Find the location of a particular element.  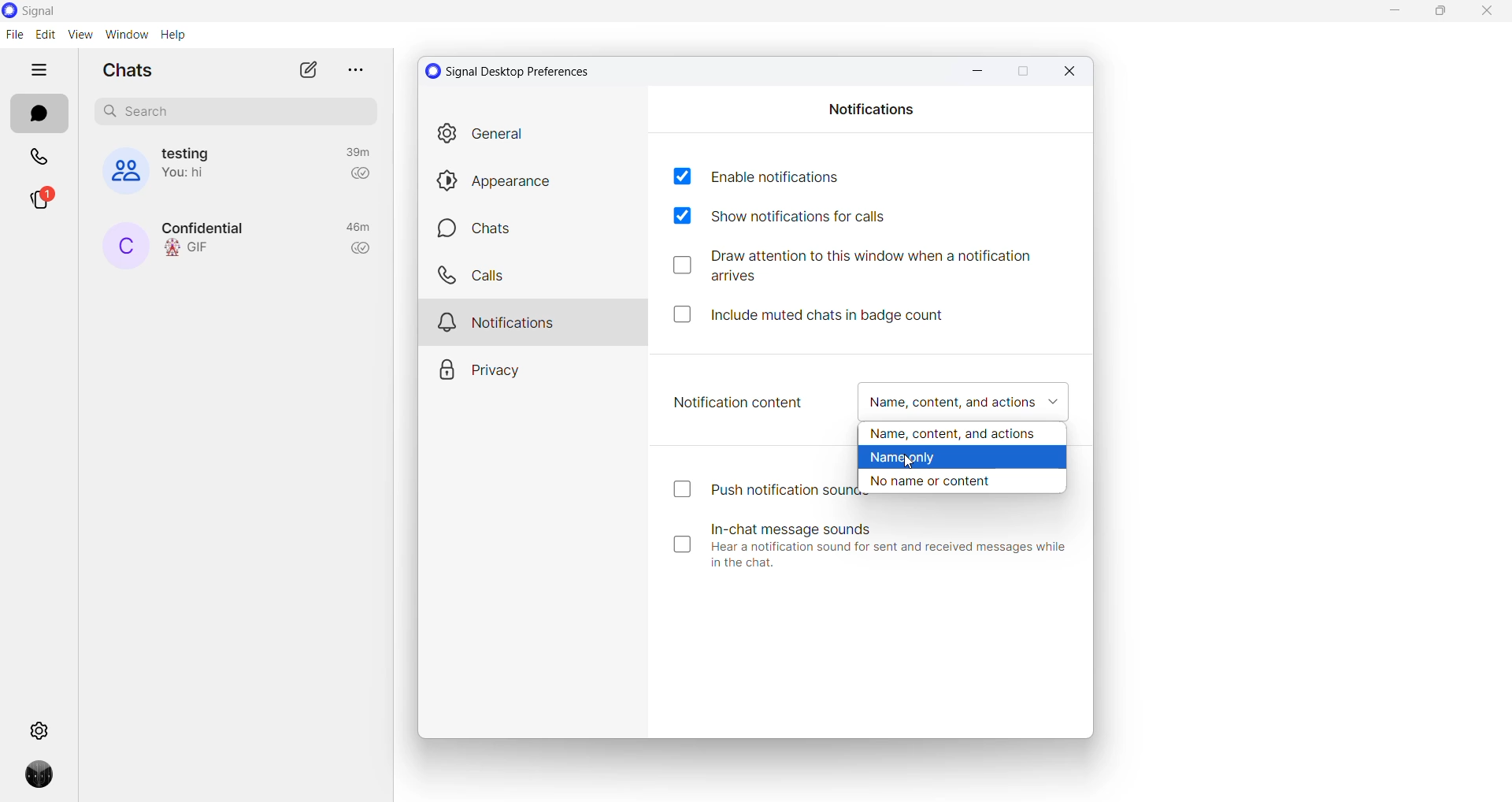

General is located at coordinates (535, 137).